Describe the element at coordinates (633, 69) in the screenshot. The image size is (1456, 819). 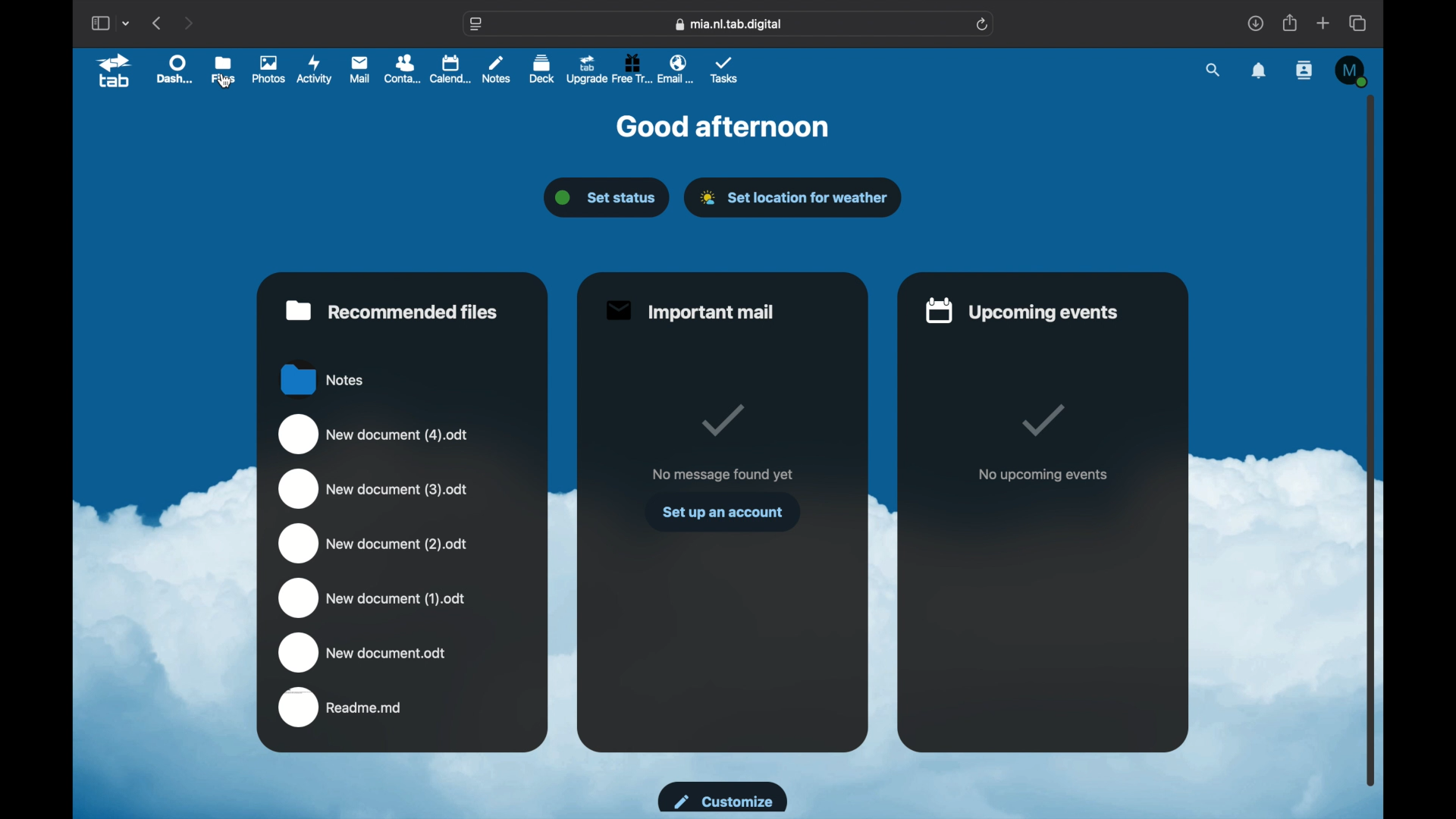
I see `free trial` at that location.